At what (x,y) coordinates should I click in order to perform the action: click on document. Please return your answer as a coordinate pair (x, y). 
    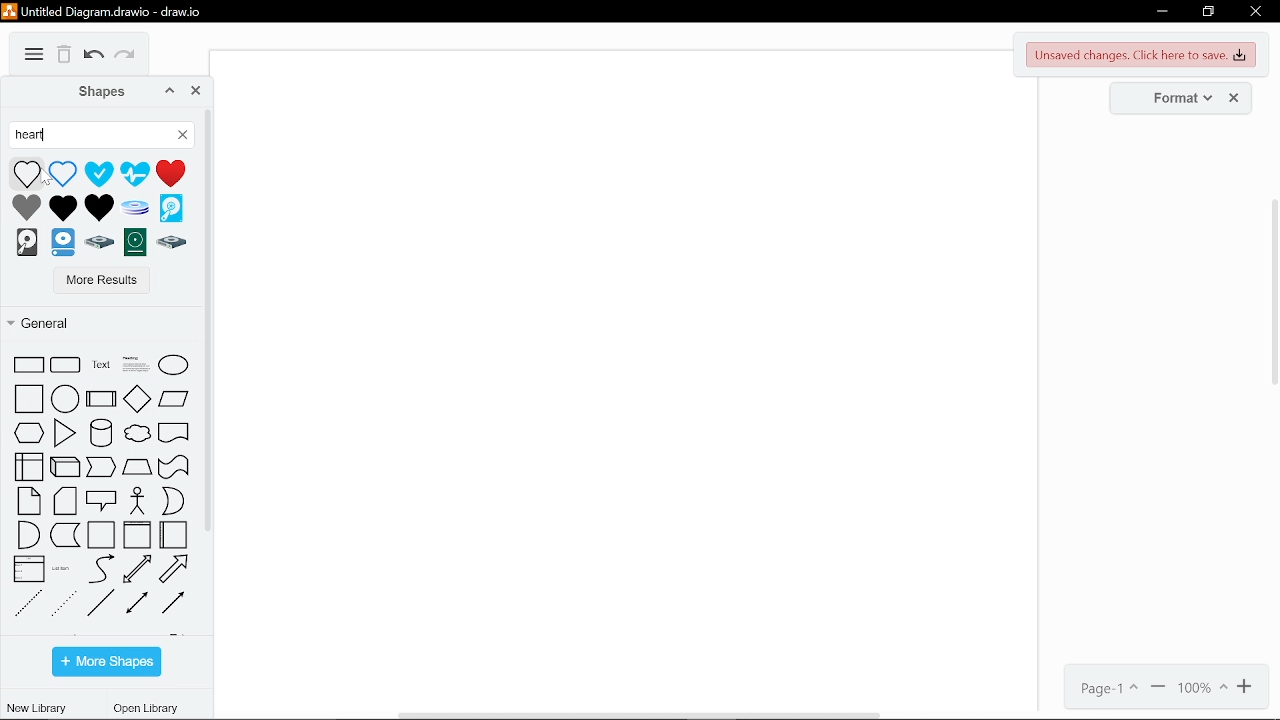
    Looking at the image, I should click on (175, 429).